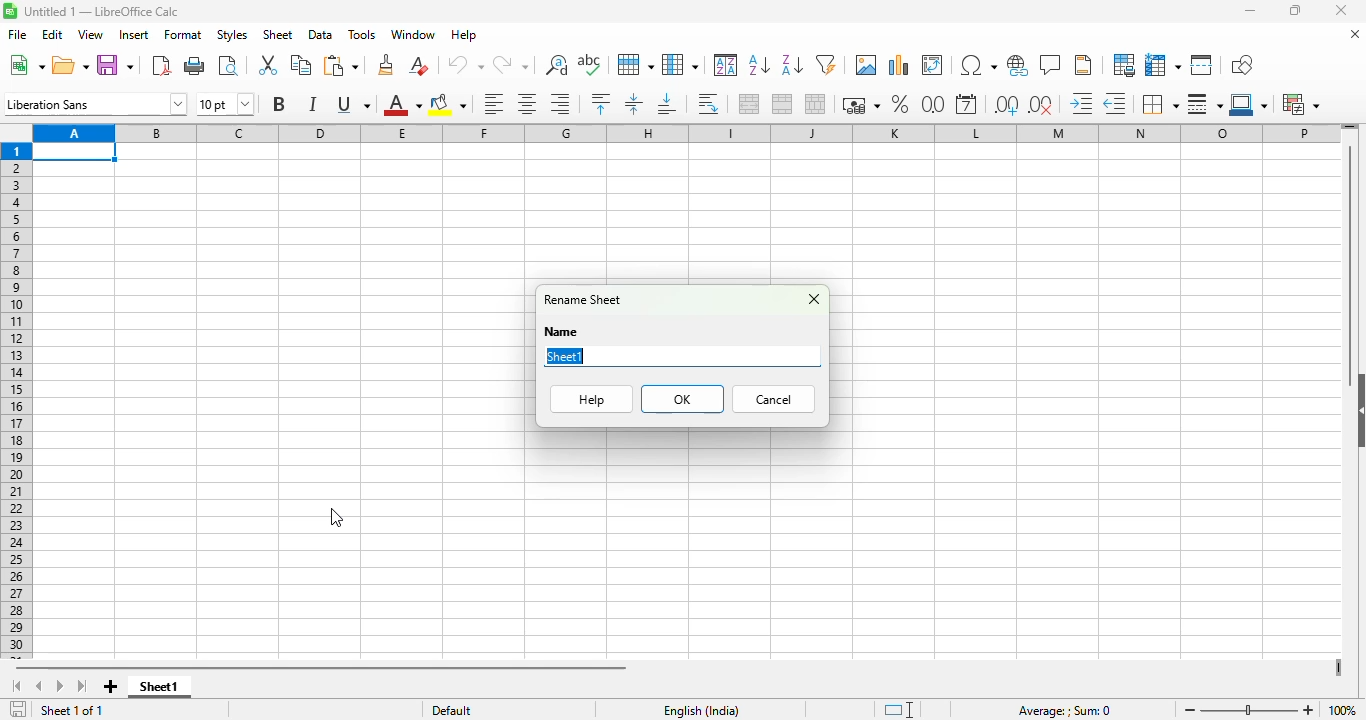  What do you see at coordinates (18, 686) in the screenshot?
I see `scroll to first sheet` at bounding box center [18, 686].